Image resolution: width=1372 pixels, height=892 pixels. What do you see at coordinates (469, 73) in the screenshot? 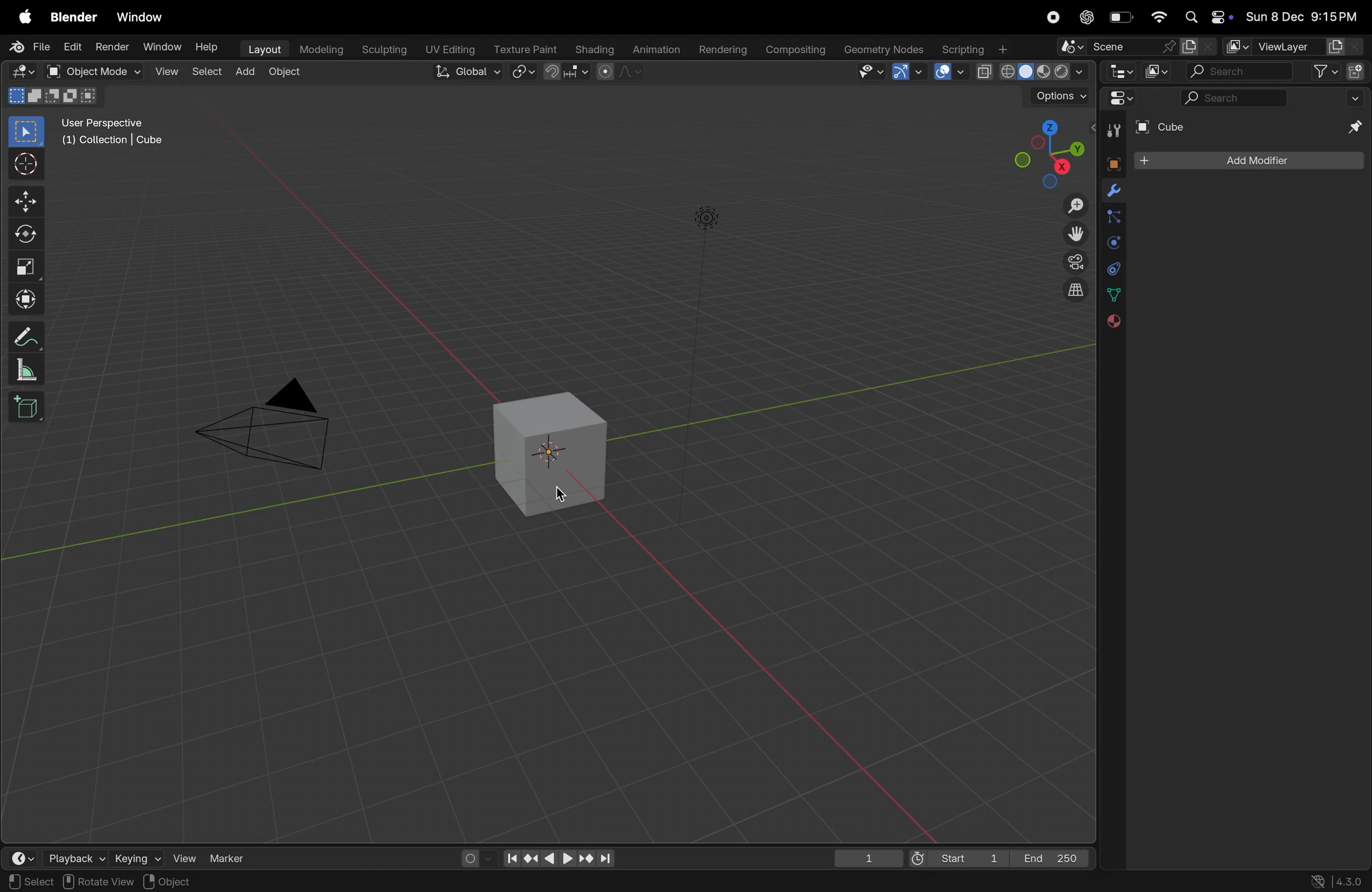
I see `global` at bounding box center [469, 73].